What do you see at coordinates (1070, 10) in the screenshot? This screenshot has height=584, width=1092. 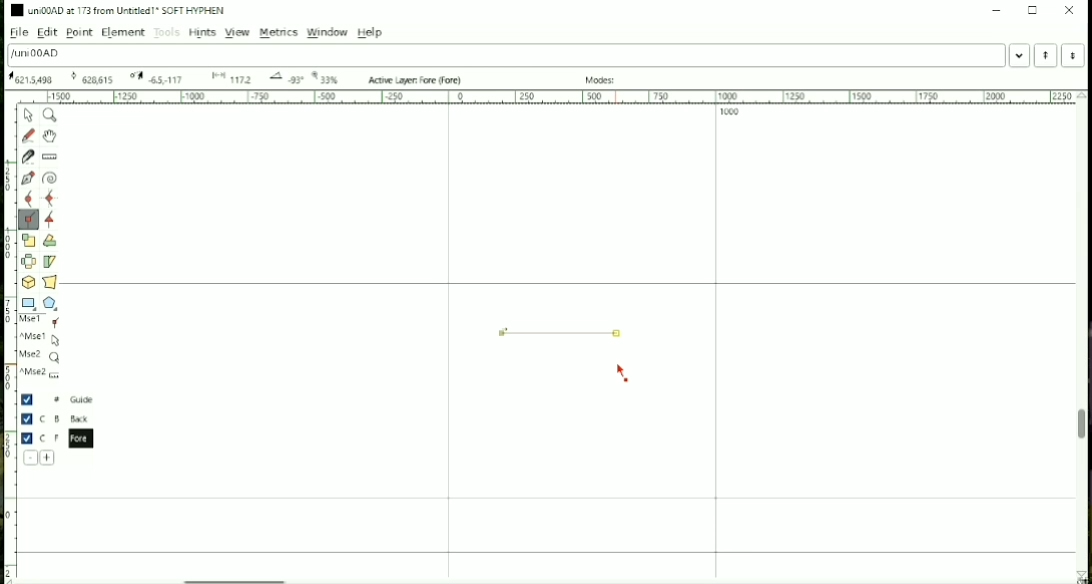 I see `Close` at bounding box center [1070, 10].